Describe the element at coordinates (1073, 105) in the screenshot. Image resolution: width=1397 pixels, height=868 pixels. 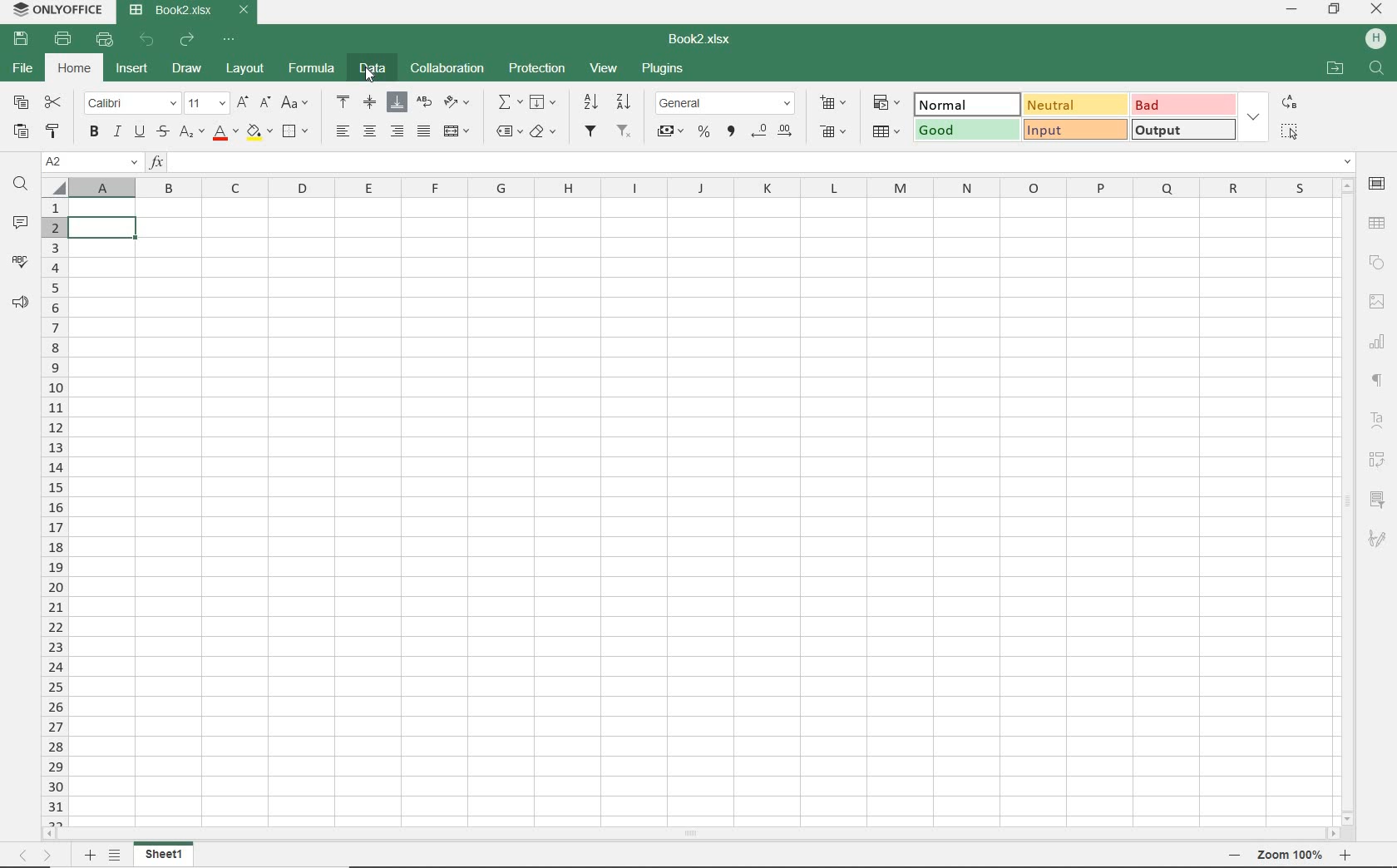
I see `NEUTRAL` at that location.